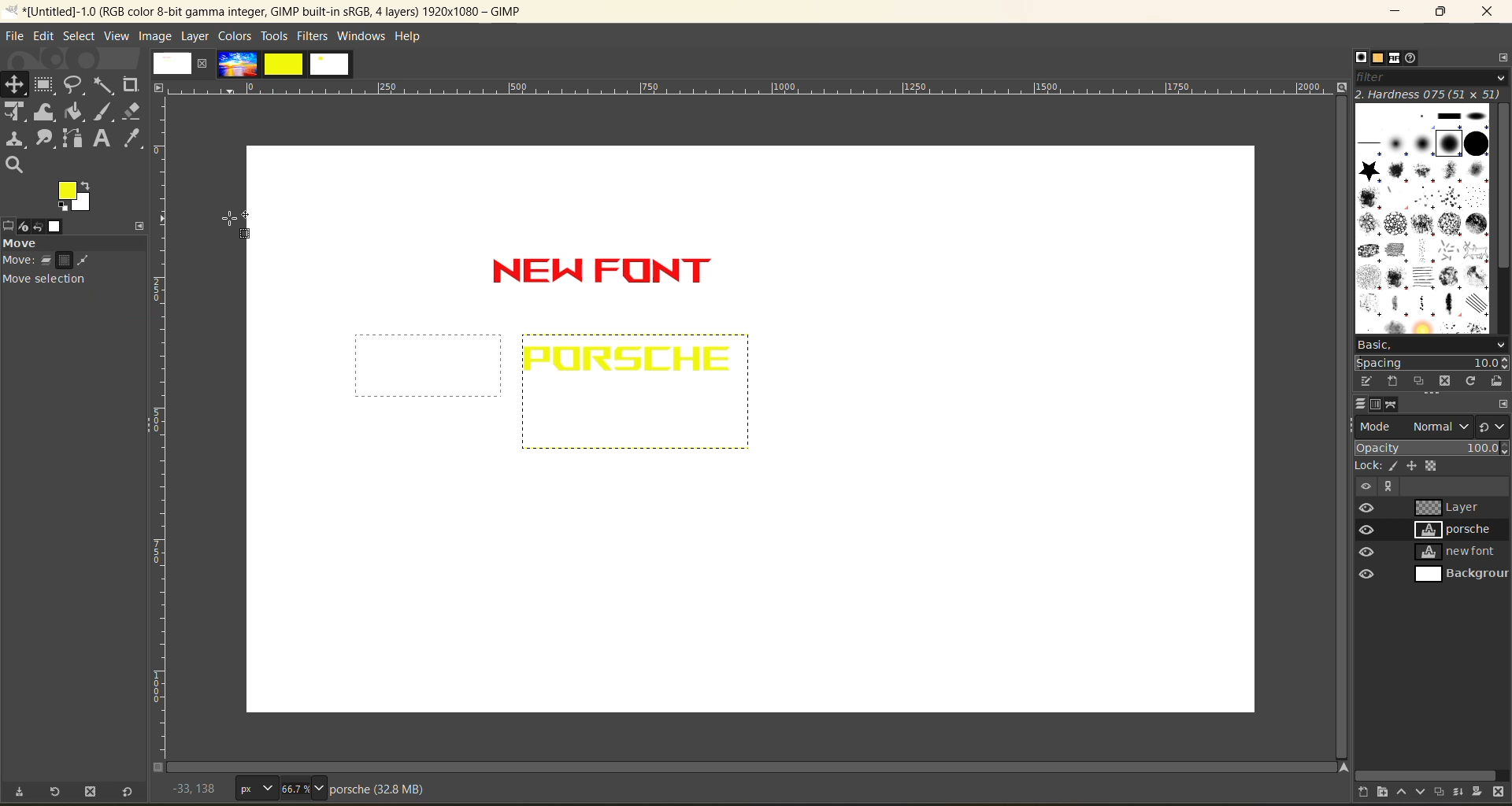 Image resolution: width=1512 pixels, height=806 pixels. I want to click on text, so click(102, 139).